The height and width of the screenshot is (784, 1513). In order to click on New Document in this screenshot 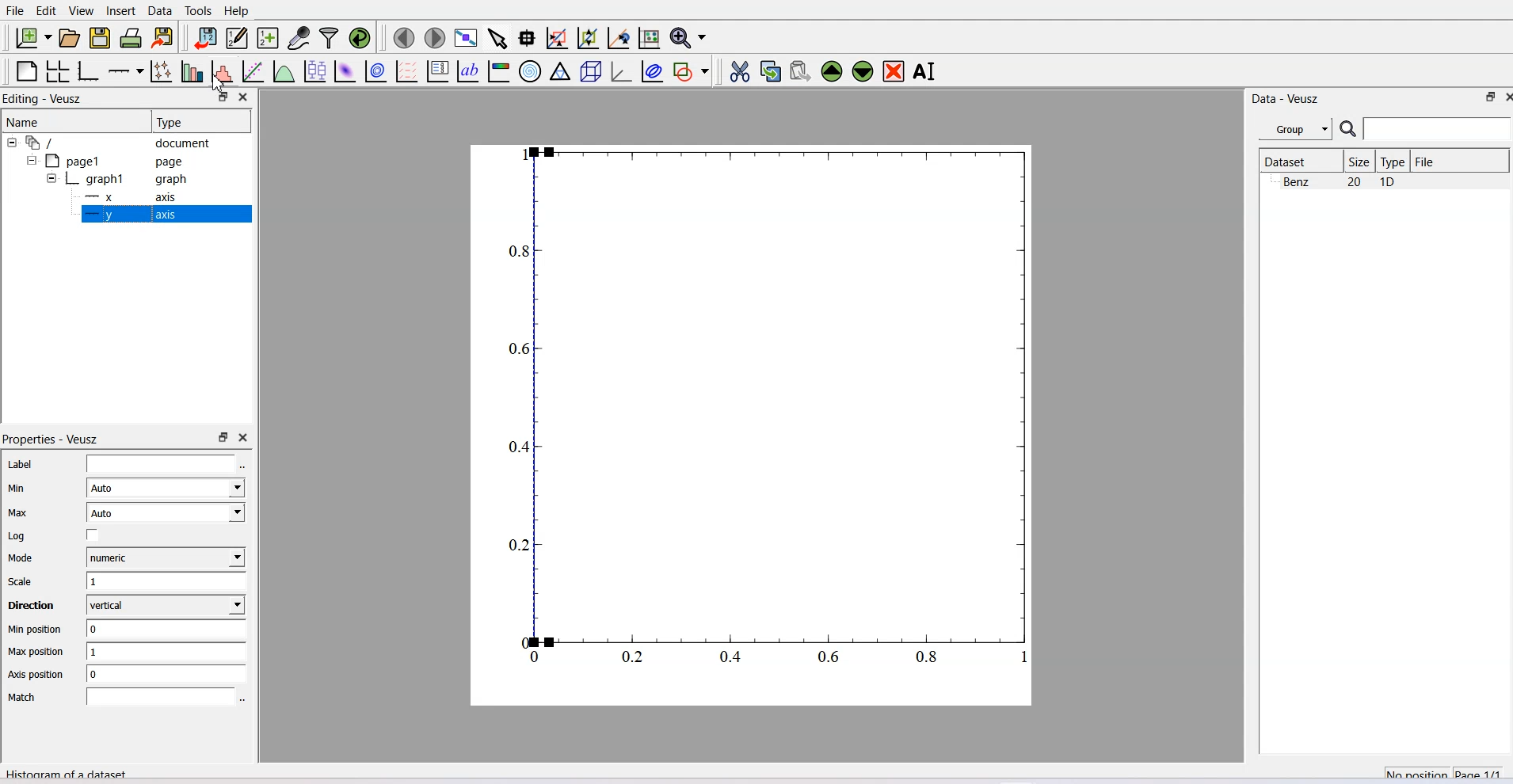, I will do `click(32, 37)`.